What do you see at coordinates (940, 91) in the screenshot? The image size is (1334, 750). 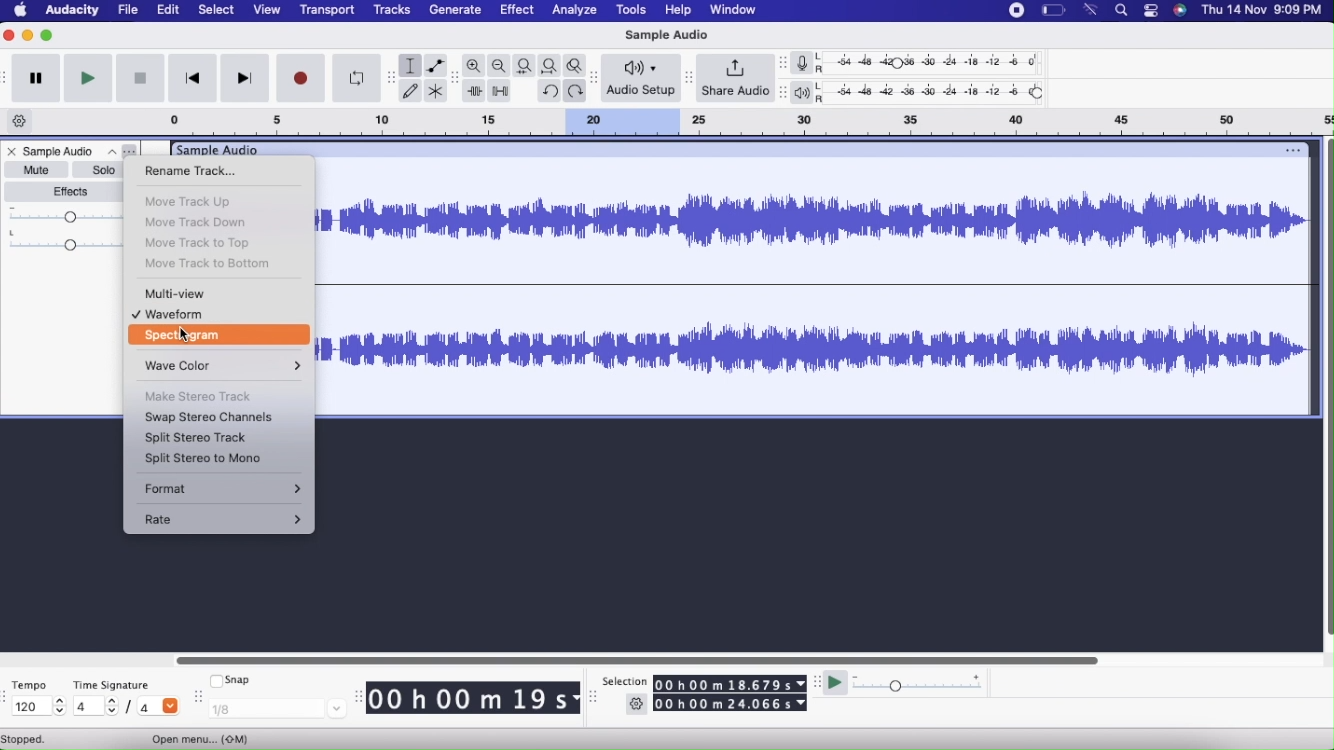 I see `Playback level` at bounding box center [940, 91].